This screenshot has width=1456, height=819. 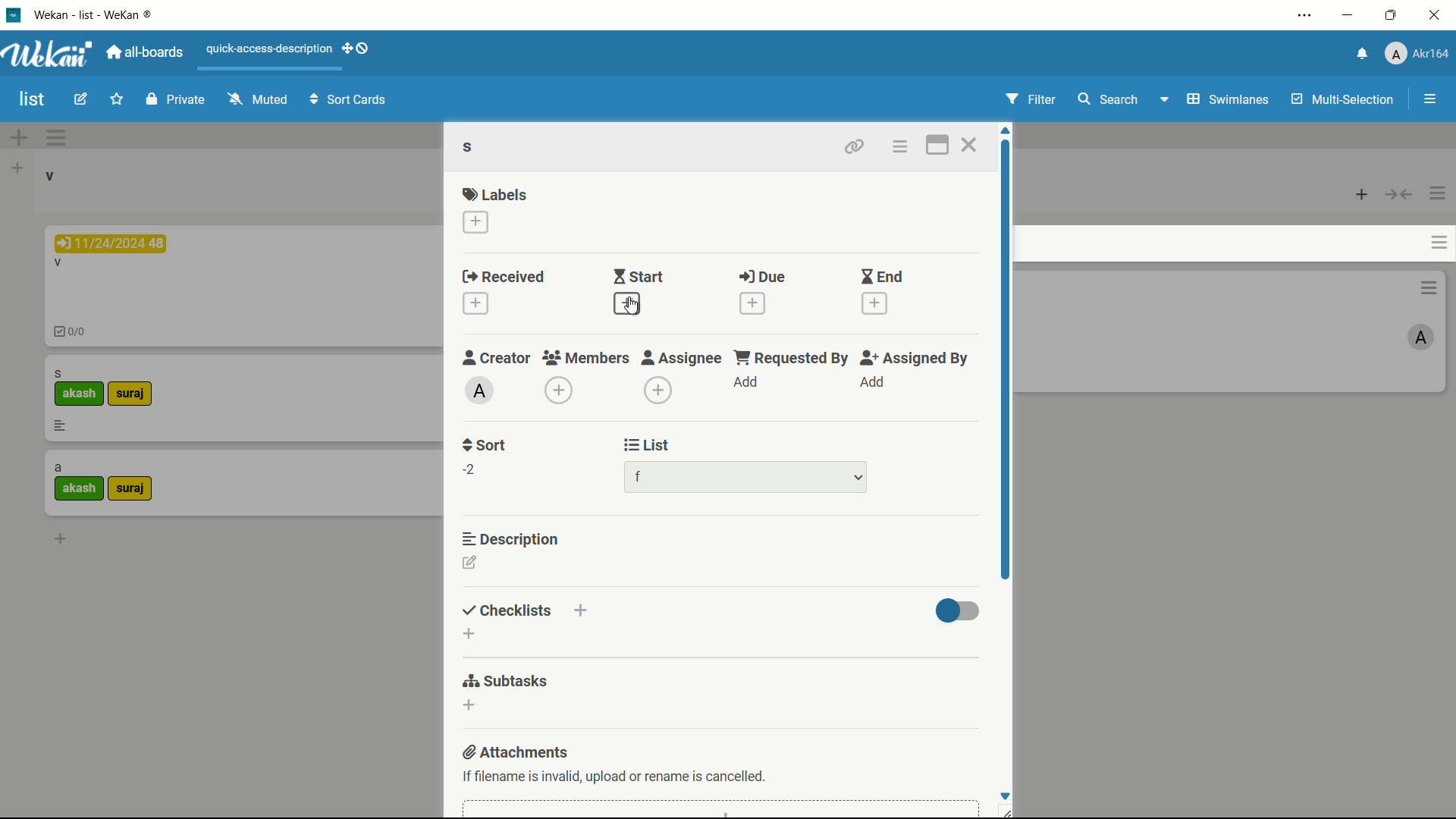 What do you see at coordinates (936, 146) in the screenshot?
I see `maximize card` at bounding box center [936, 146].